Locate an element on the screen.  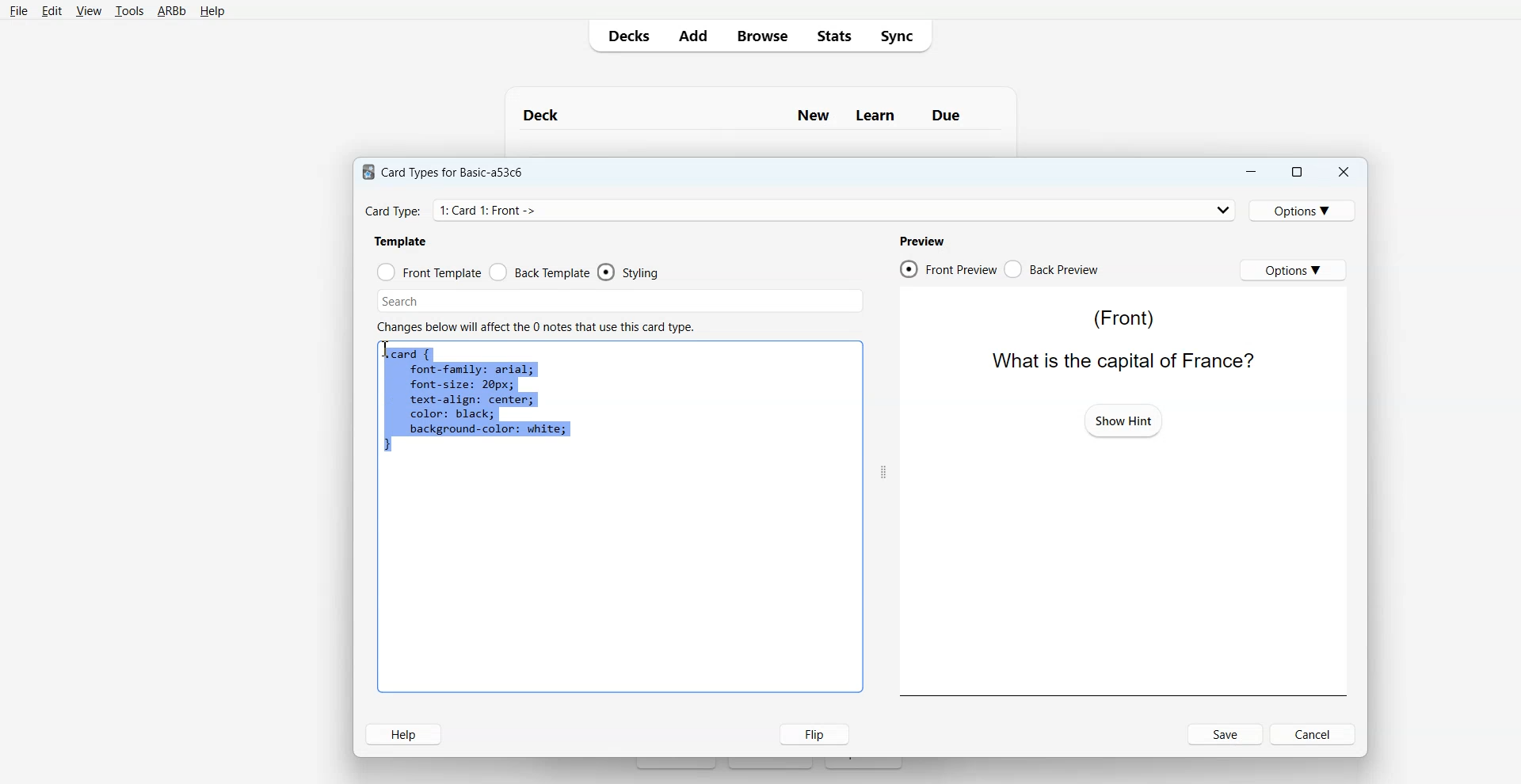
View is located at coordinates (89, 11).